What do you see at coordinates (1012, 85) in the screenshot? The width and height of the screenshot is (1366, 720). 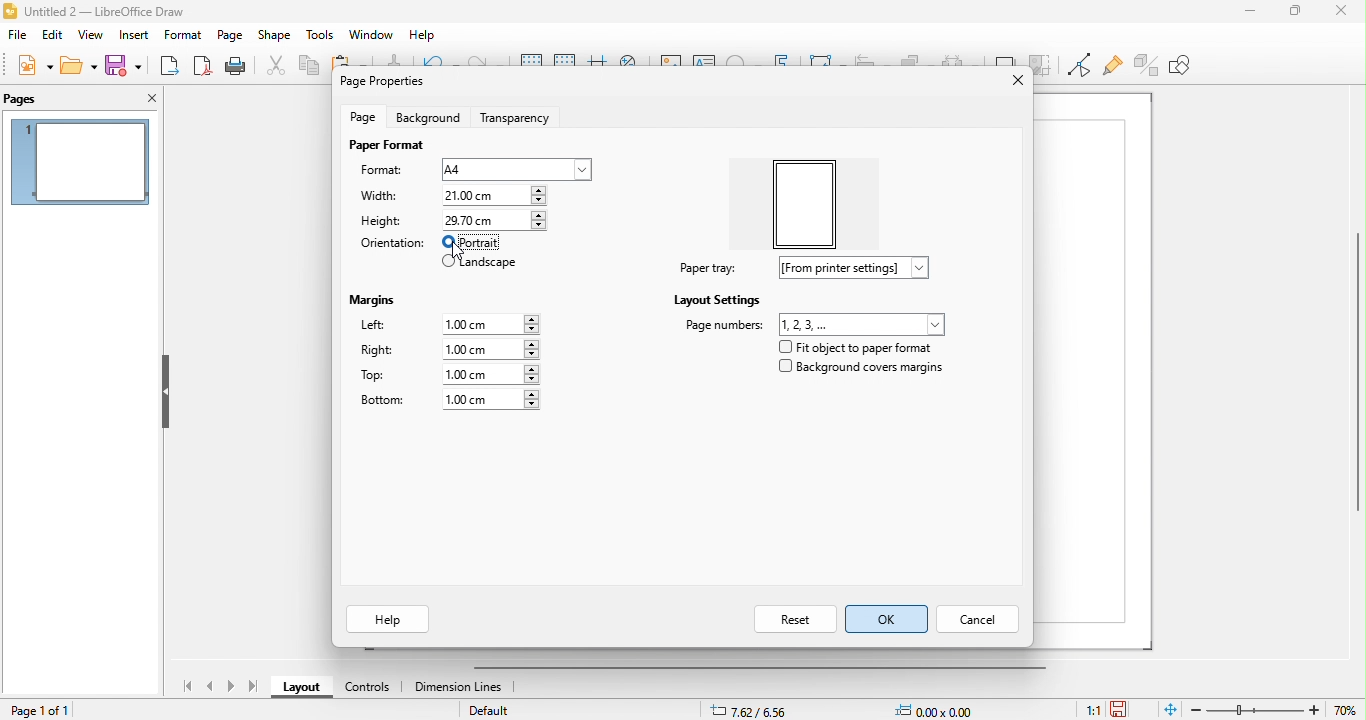 I see `close` at bounding box center [1012, 85].